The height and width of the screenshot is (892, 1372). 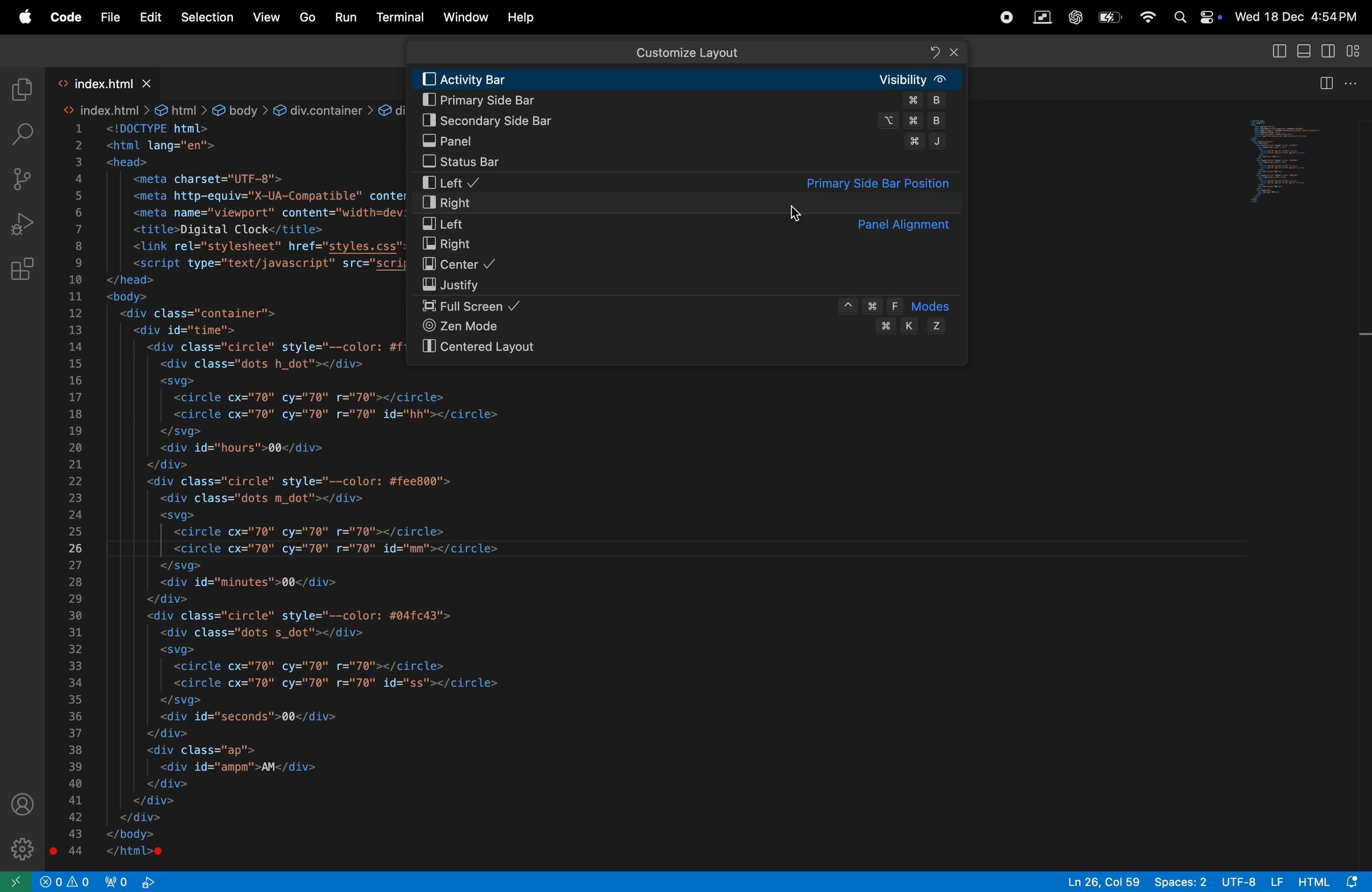 What do you see at coordinates (1278, 50) in the screenshot?
I see `toggle primary side bar` at bounding box center [1278, 50].